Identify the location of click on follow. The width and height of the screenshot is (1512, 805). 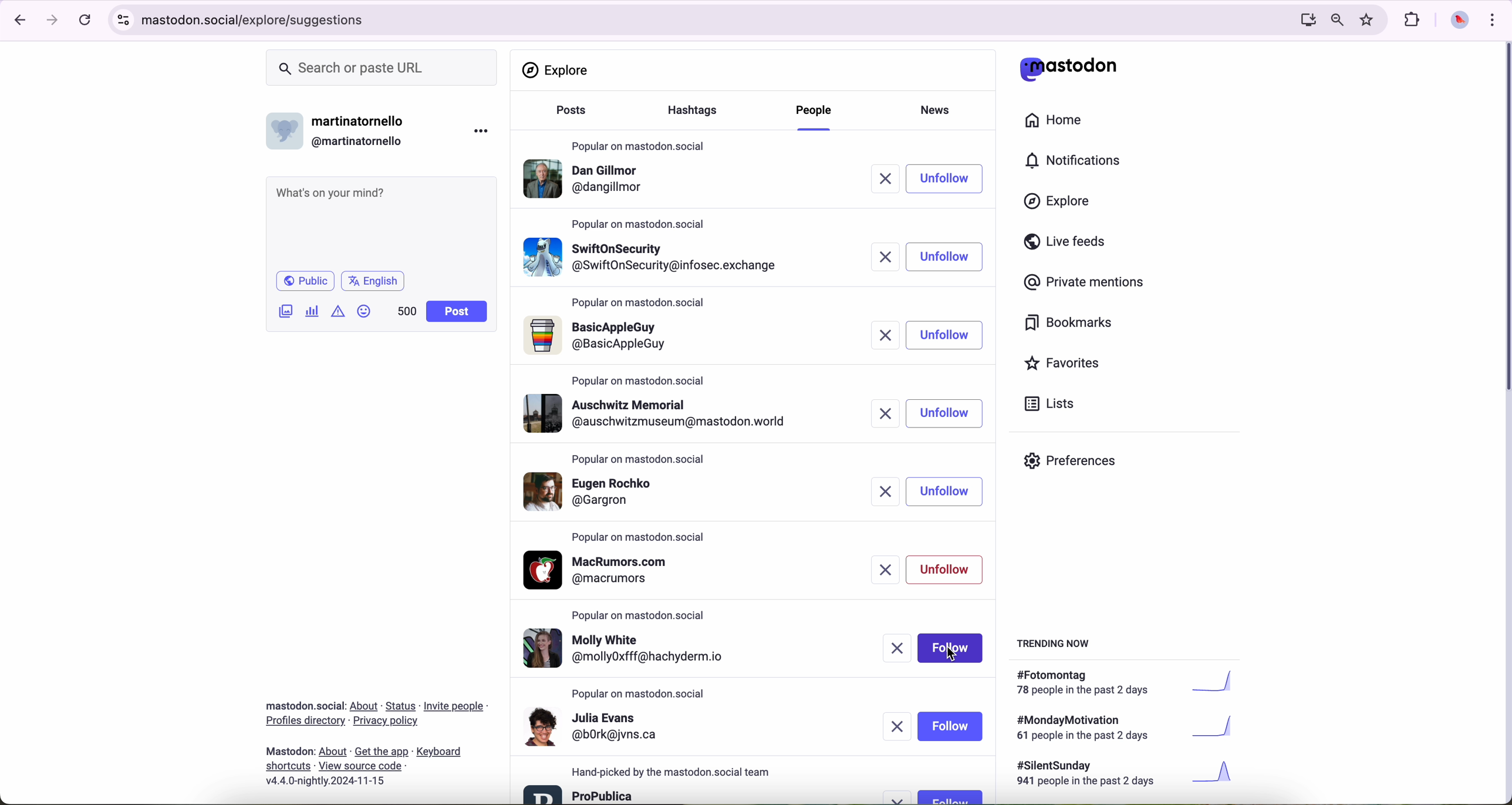
(950, 648).